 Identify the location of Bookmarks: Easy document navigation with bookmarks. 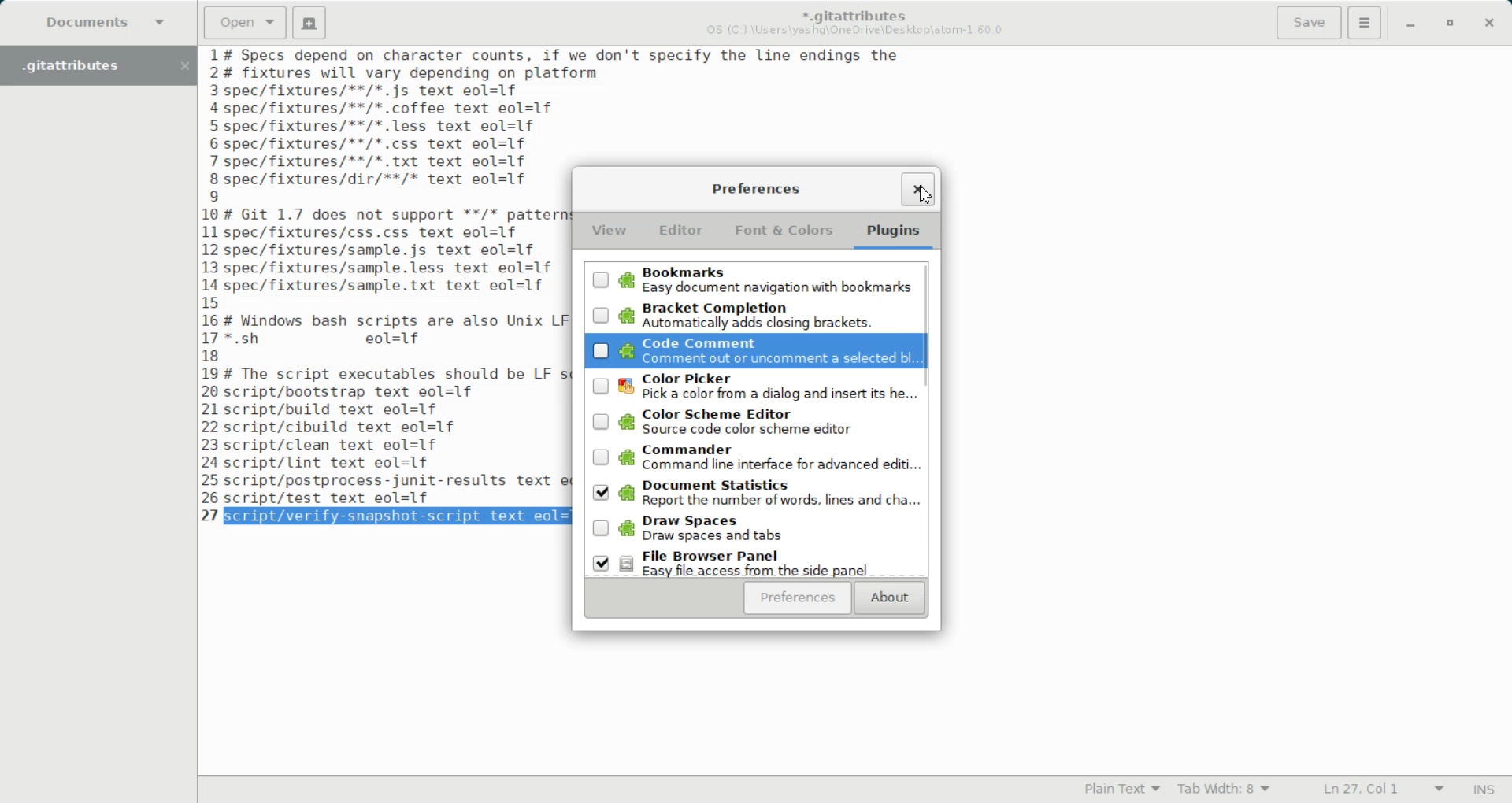
(749, 279).